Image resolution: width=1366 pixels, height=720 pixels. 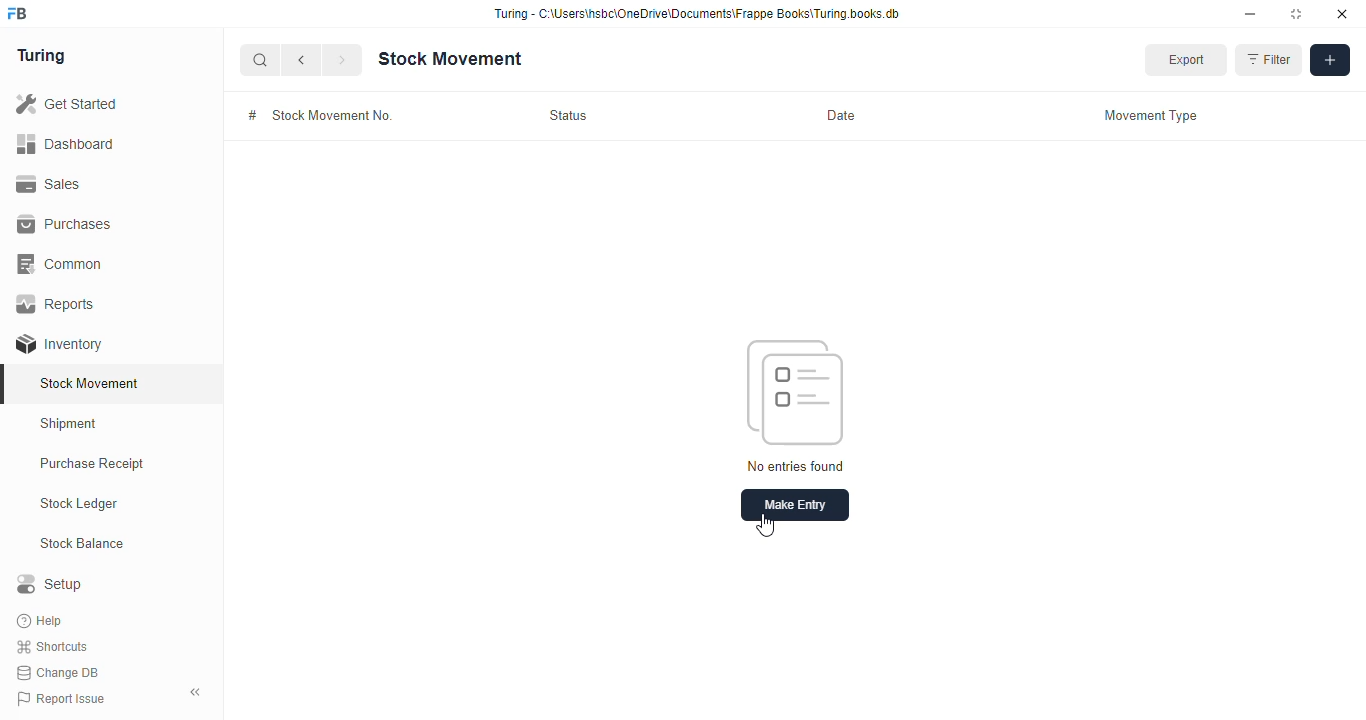 What do you see at coordinates (65, 145) in the screenshot?
I see `dashboard` at bounding box center [65, 145].